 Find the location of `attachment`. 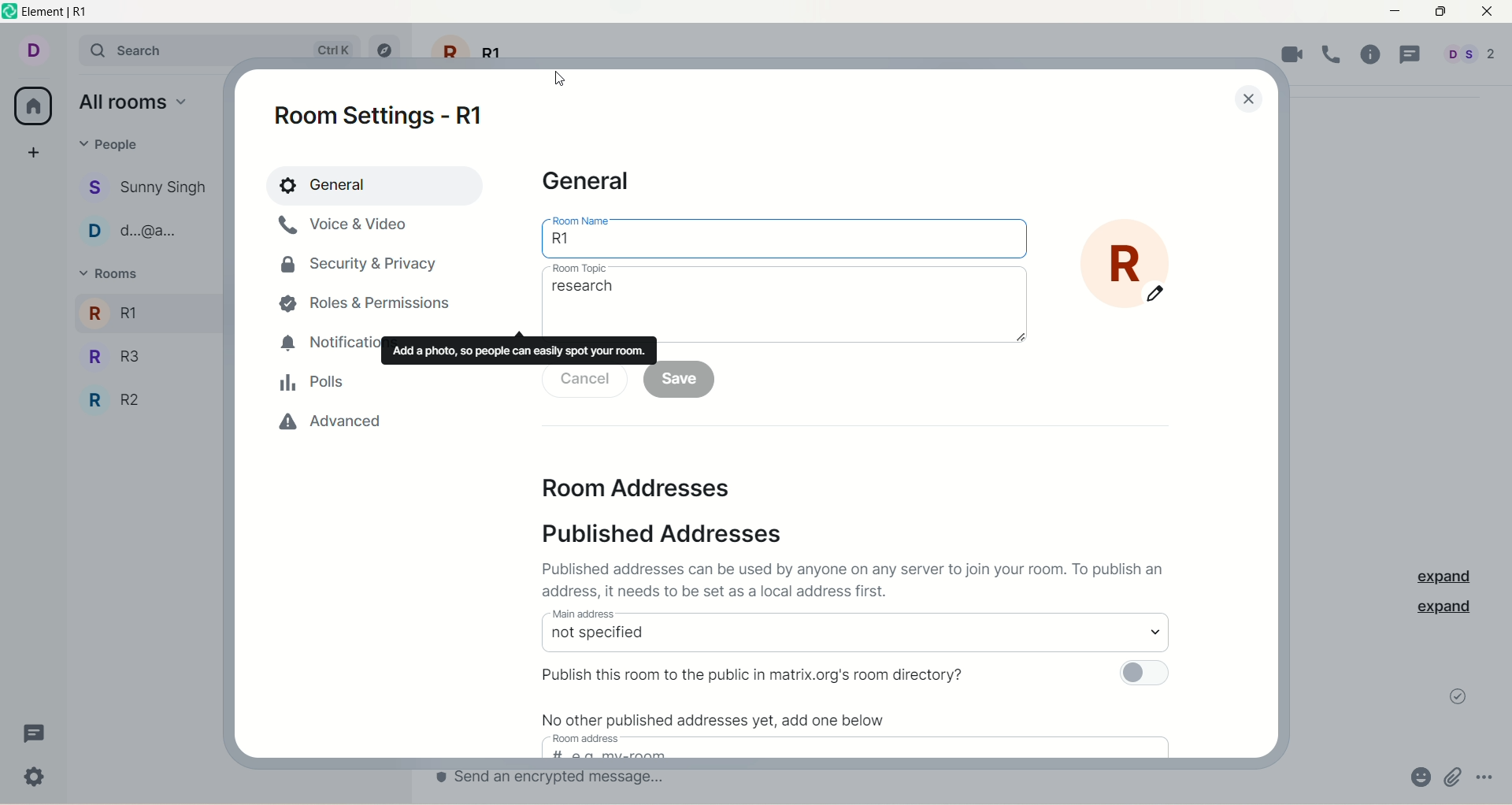

attachment is located at coordinates (1458, 775).